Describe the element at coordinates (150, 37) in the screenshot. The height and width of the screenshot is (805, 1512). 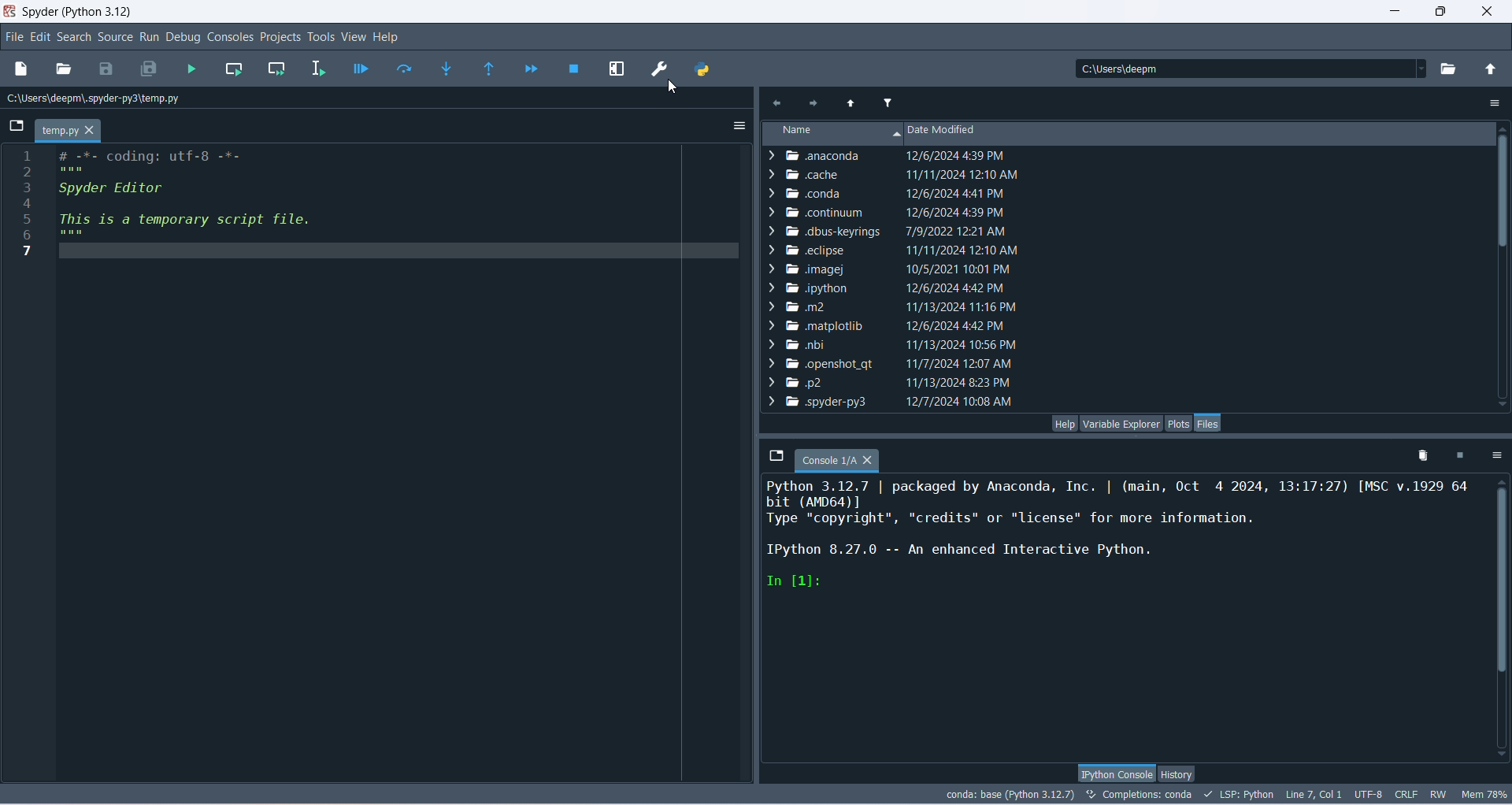
I see `run` at that location.